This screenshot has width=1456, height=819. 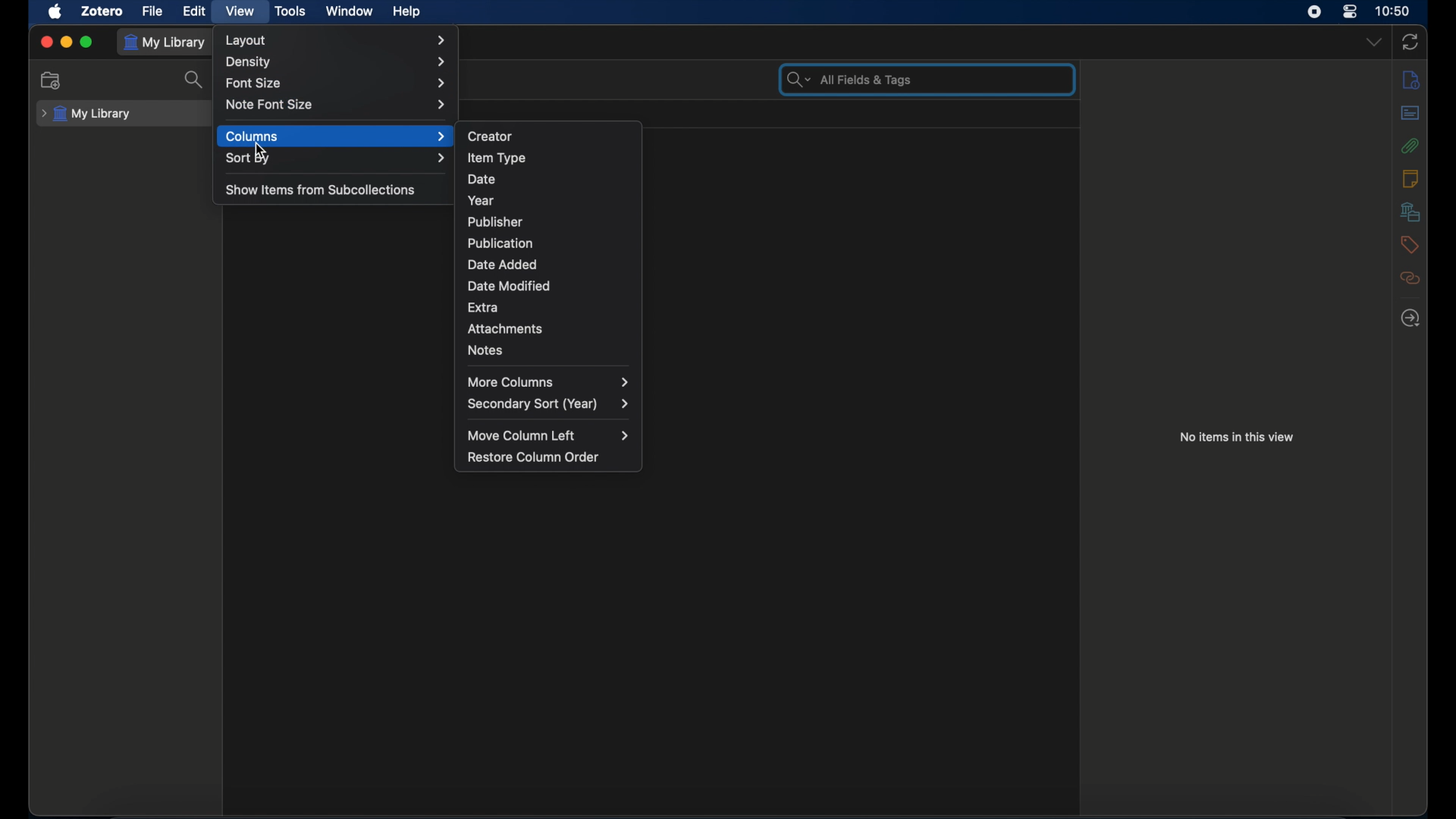 What do you see at coordinates (336, 158) in the screenshot?
I see `sort by` at bounding box center [336, 158].